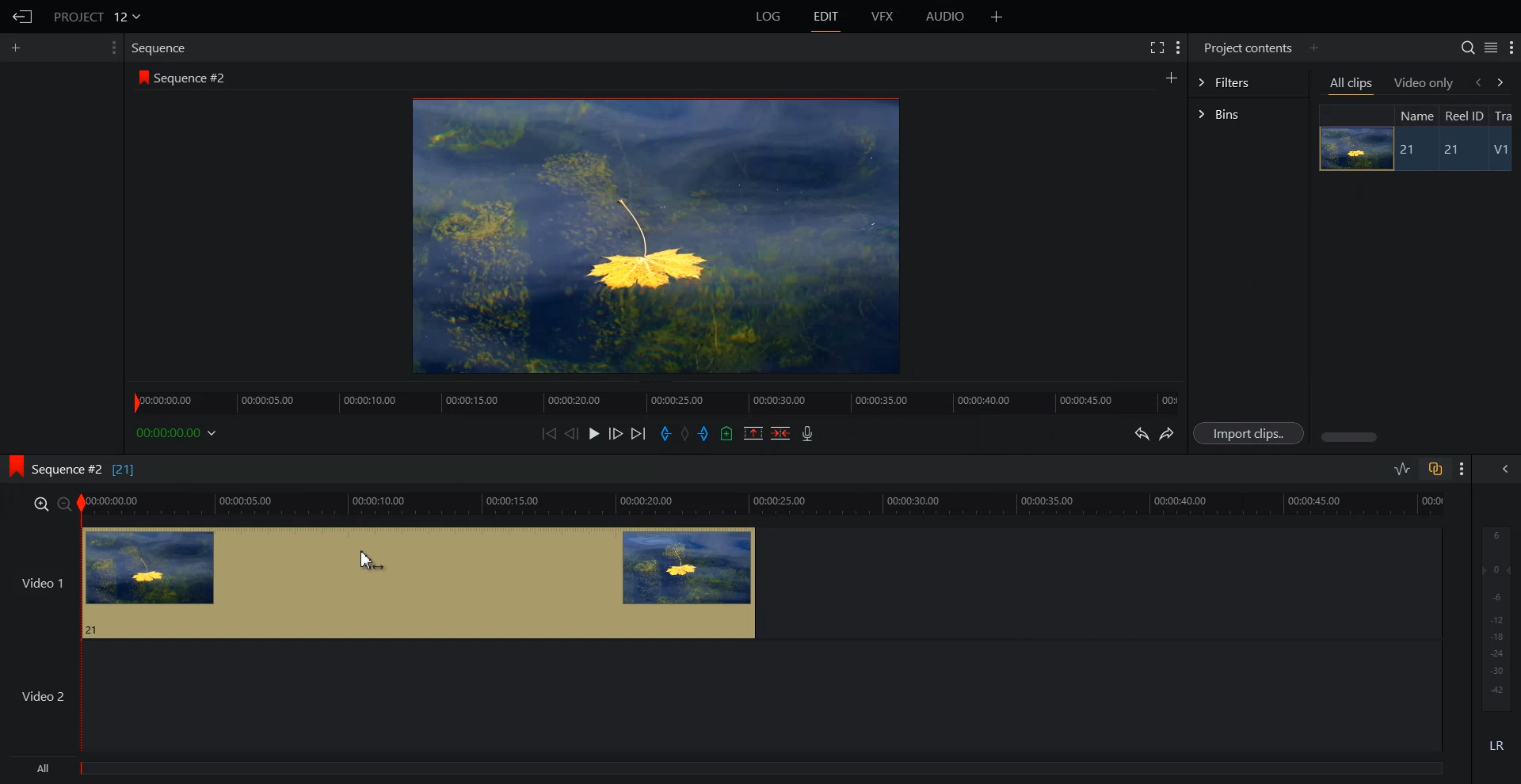  What do you see at coordinates (1246, 46) in the screenshot?
I see `Project contents` at bounding box center [1246, 46].